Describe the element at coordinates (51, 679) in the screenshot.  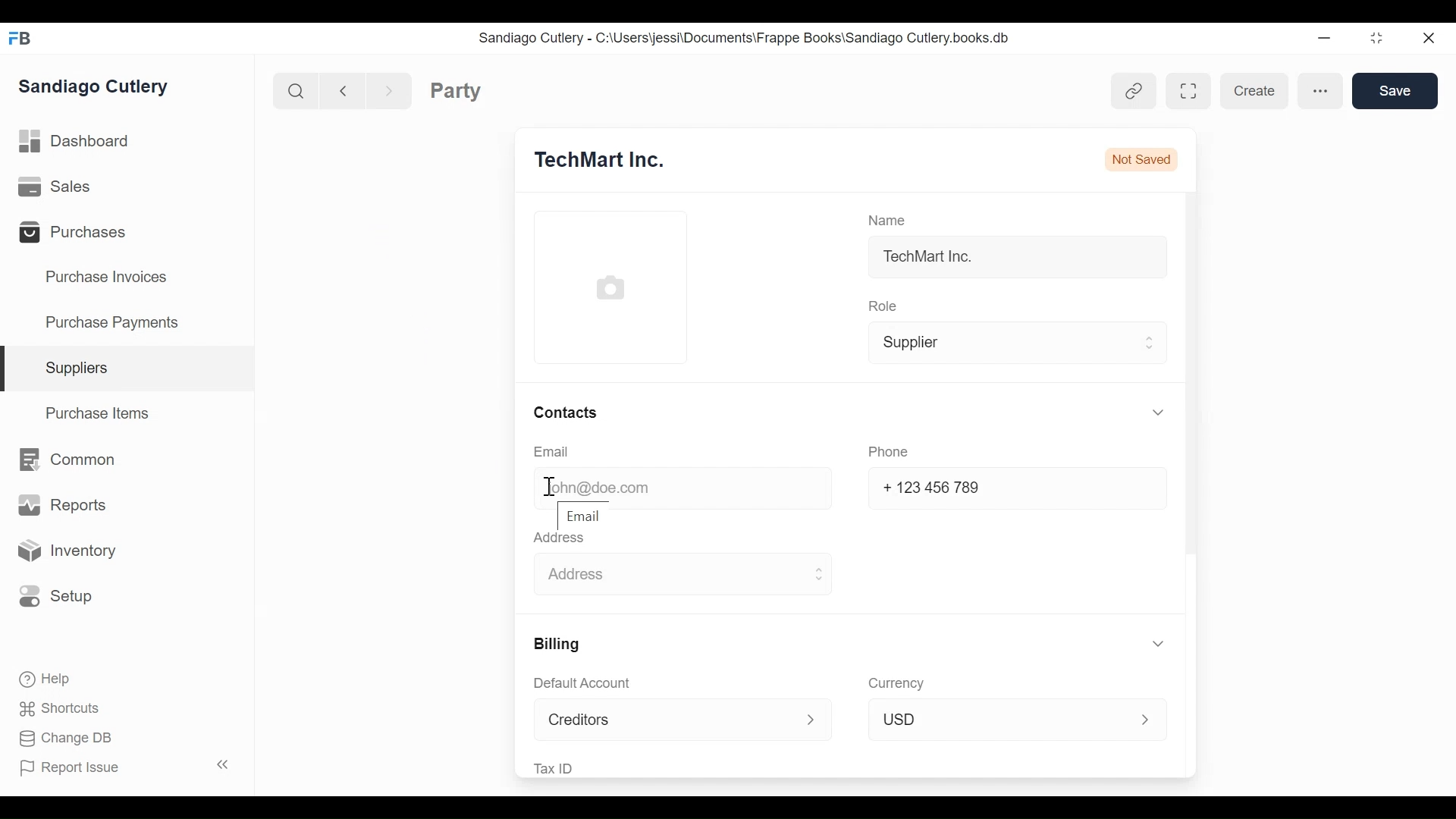
I see ` Help` at that location.